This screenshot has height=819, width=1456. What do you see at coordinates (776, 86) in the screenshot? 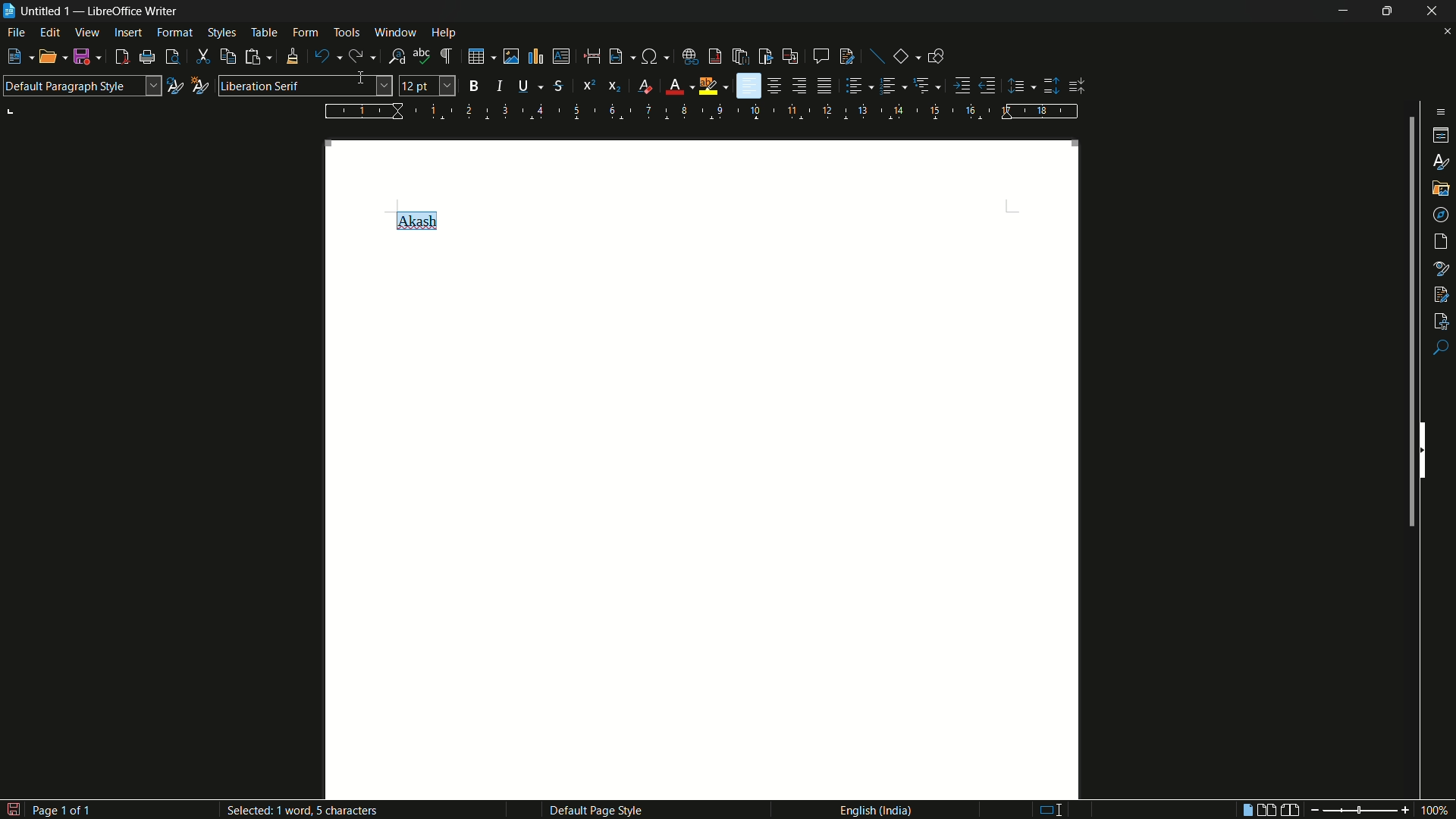
I see `align center` at bounding box center [776, 86].